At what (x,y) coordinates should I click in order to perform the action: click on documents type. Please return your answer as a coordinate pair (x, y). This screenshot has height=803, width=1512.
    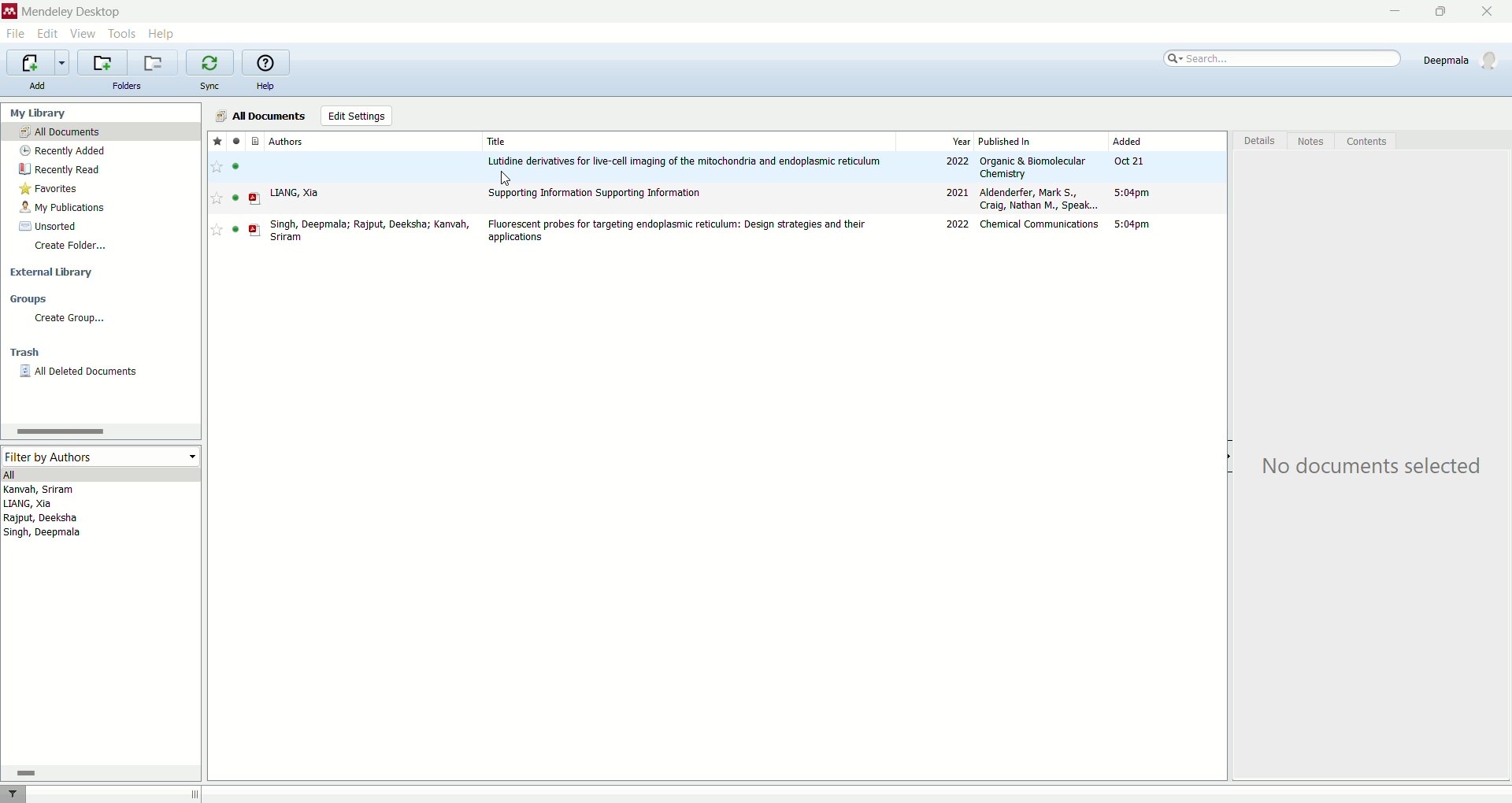
    Looking at the image, I should click on (255, 141).